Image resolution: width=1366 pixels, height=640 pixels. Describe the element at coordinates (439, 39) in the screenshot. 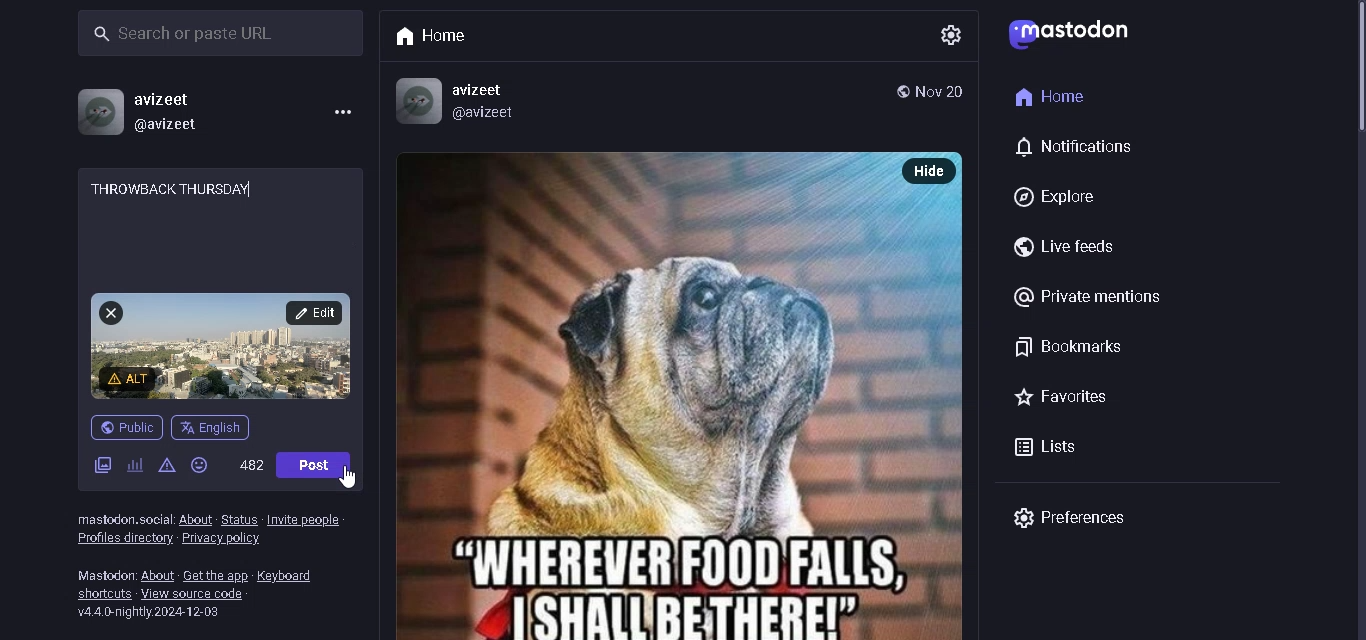

I see `Home tab` at that location.